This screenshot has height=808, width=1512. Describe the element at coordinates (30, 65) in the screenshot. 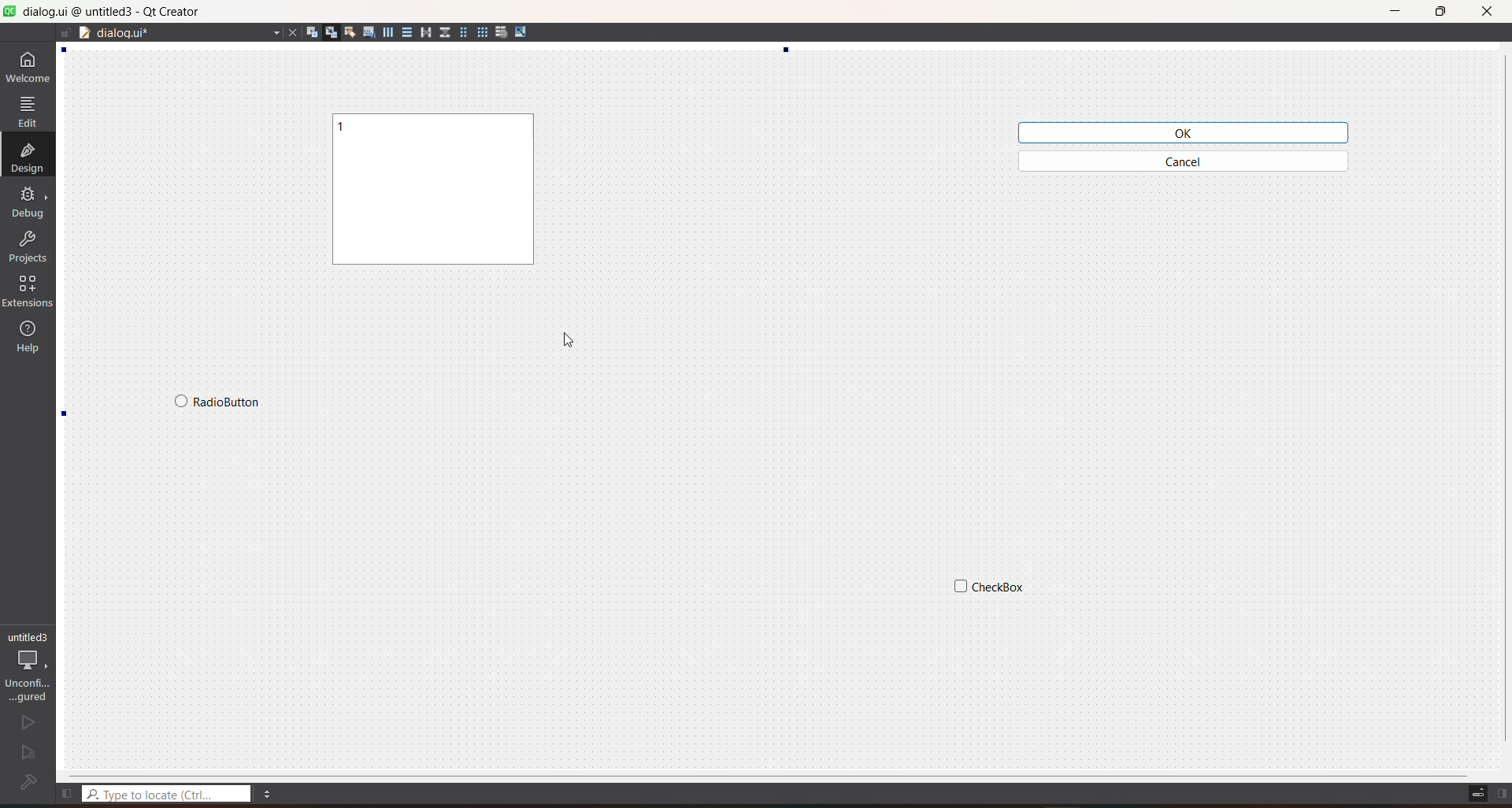

I see `welcome` at that location.